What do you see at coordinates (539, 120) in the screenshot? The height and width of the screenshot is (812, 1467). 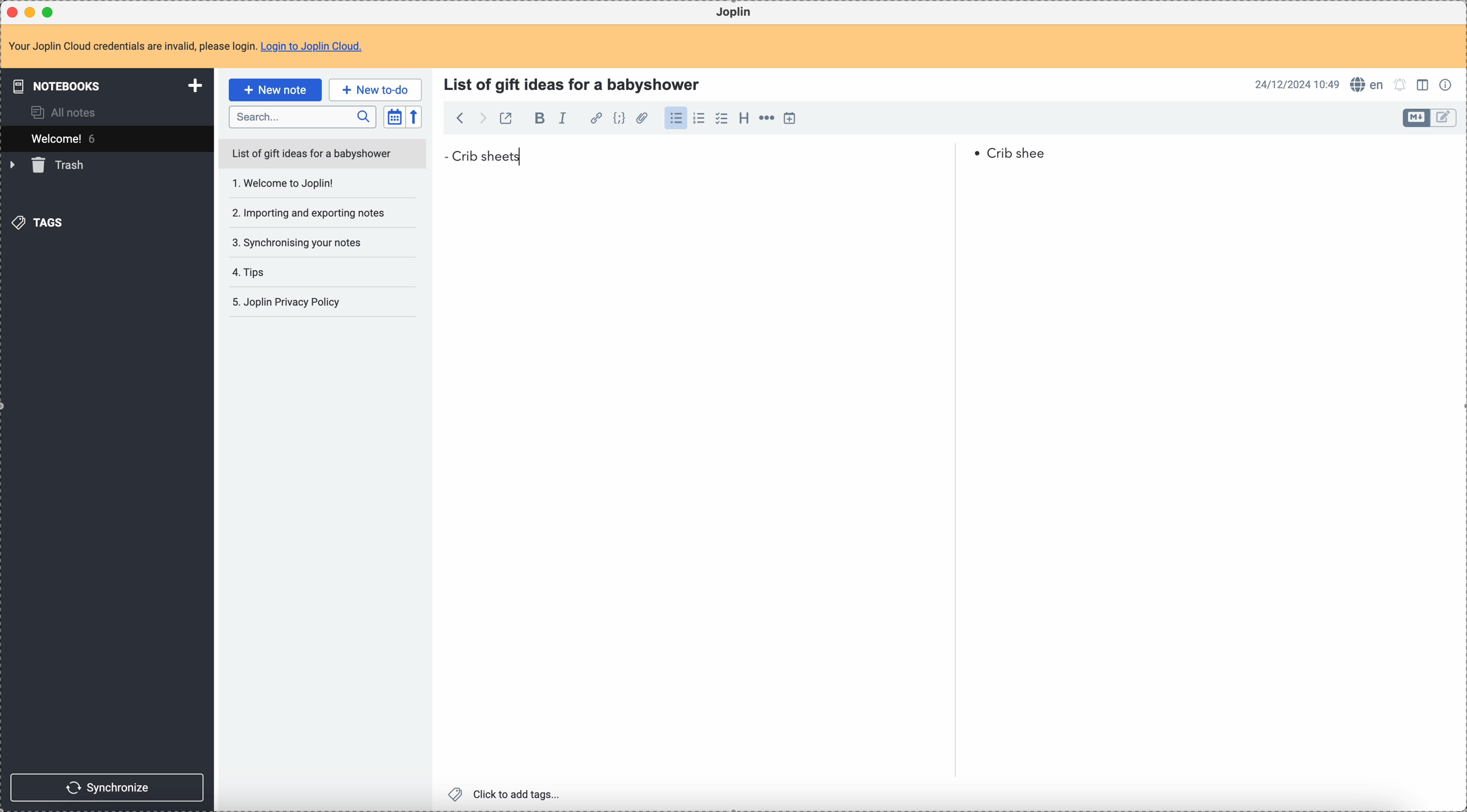 I see `bold` at bounding box center [539, 120].